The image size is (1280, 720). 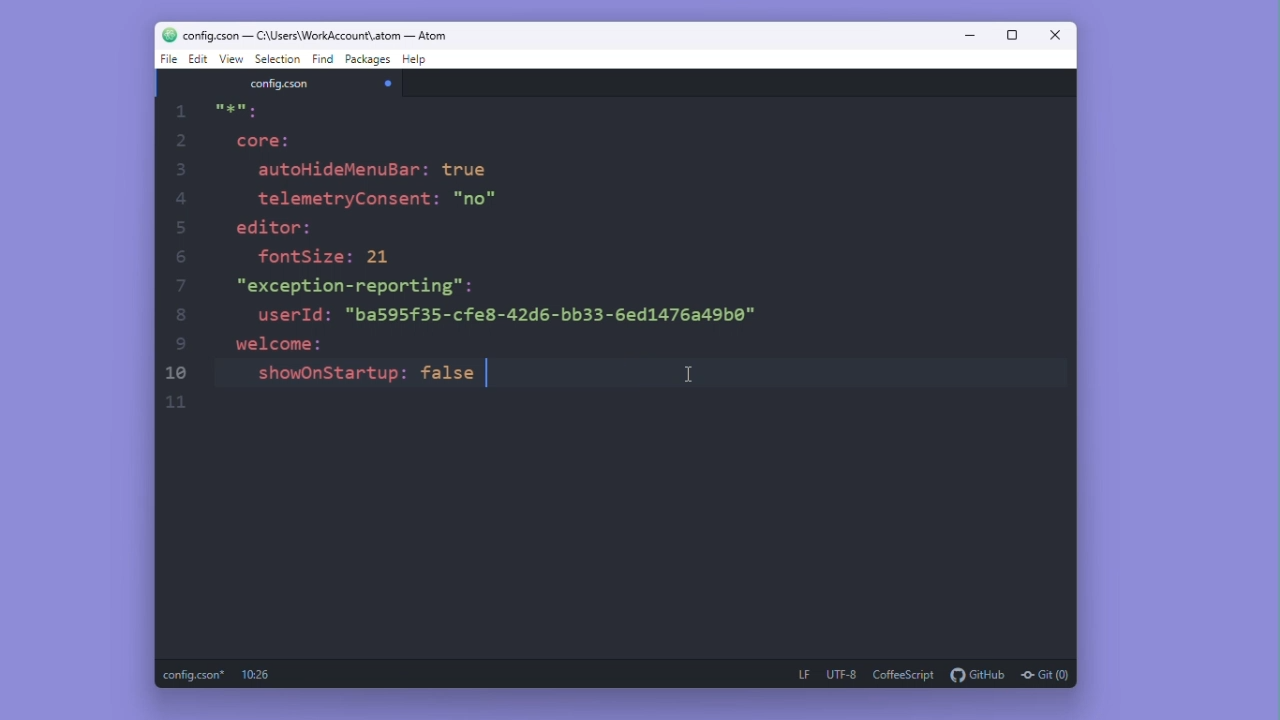 What do you see at coordinates (252, 675) in the screenshot?
I see `10:40` at bounding box center [252, 675].